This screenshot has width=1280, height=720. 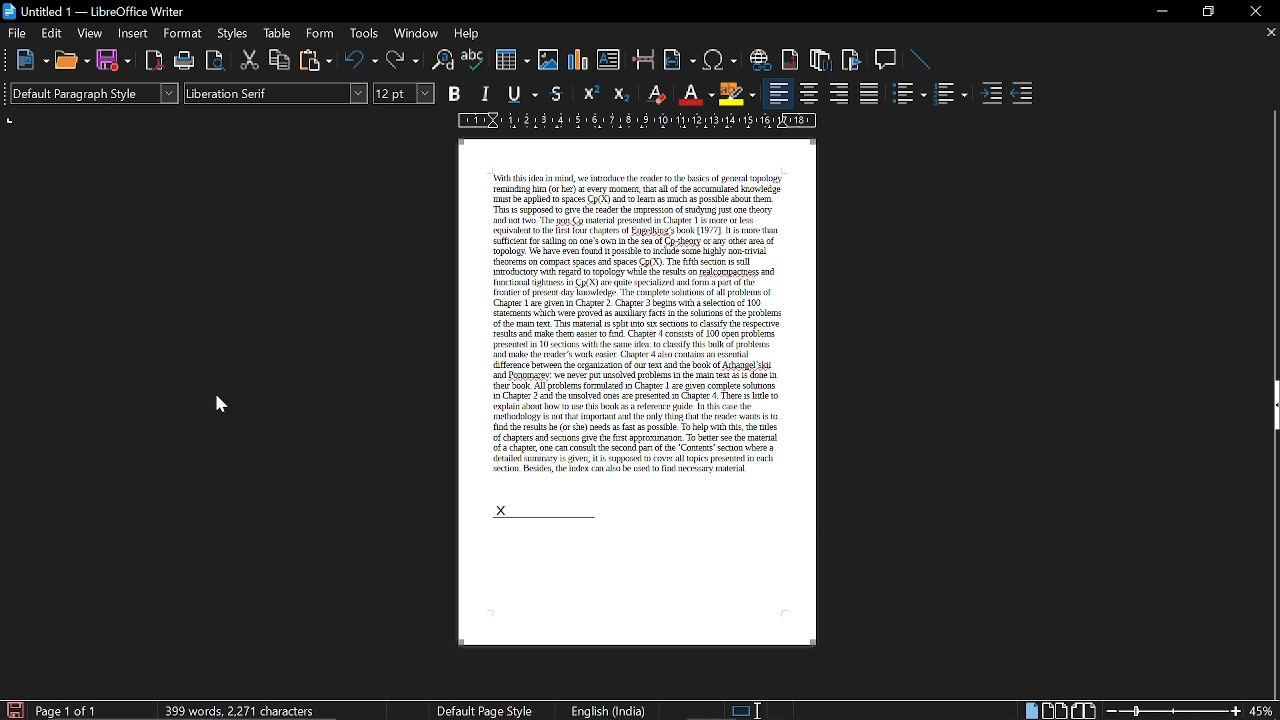 I want to click on Untitled 1 — LibreOffice Writer, so click(x=96, y=11).